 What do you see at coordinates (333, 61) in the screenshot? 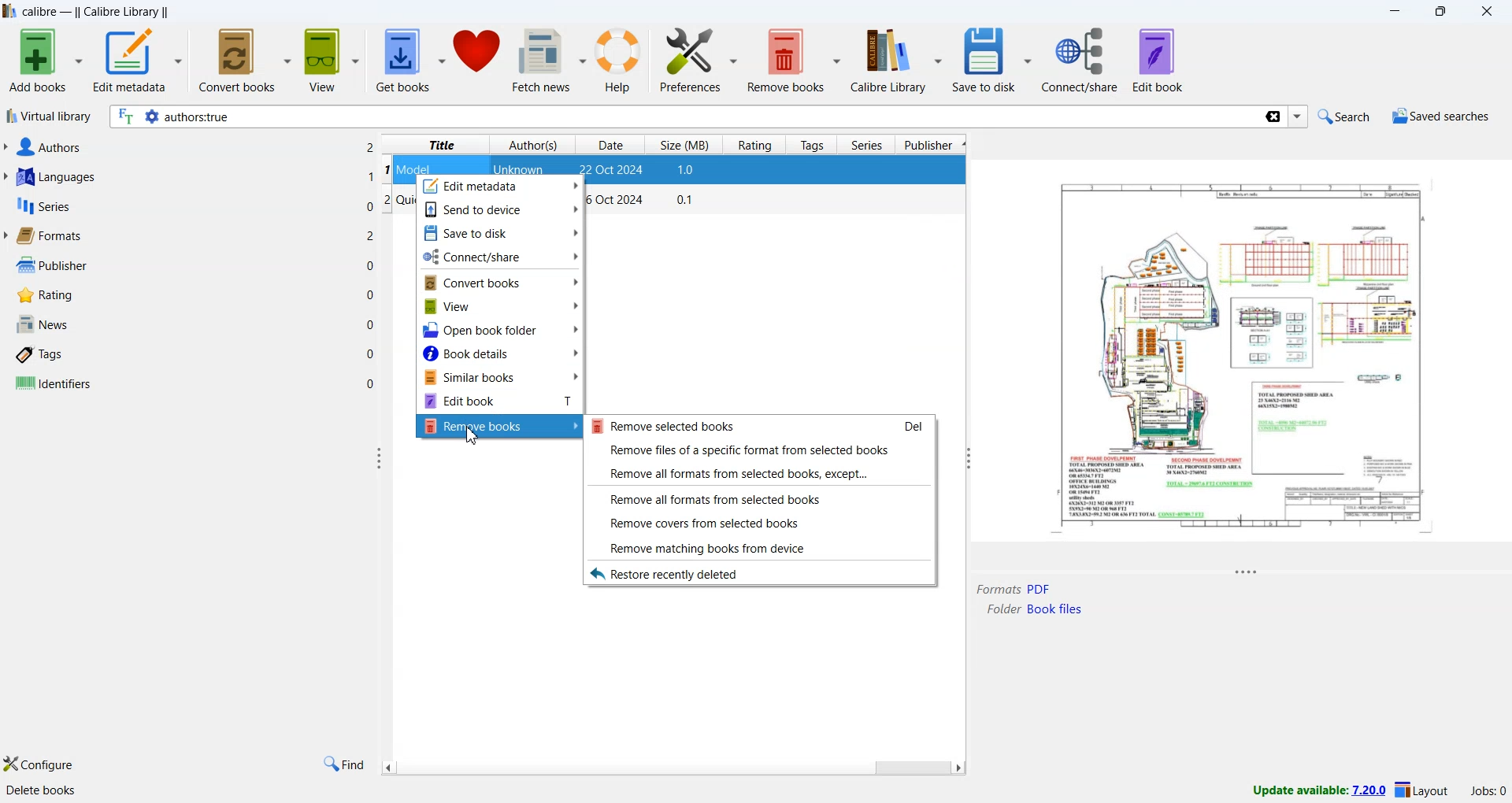
I see `view` at bounding box center [333, 61].